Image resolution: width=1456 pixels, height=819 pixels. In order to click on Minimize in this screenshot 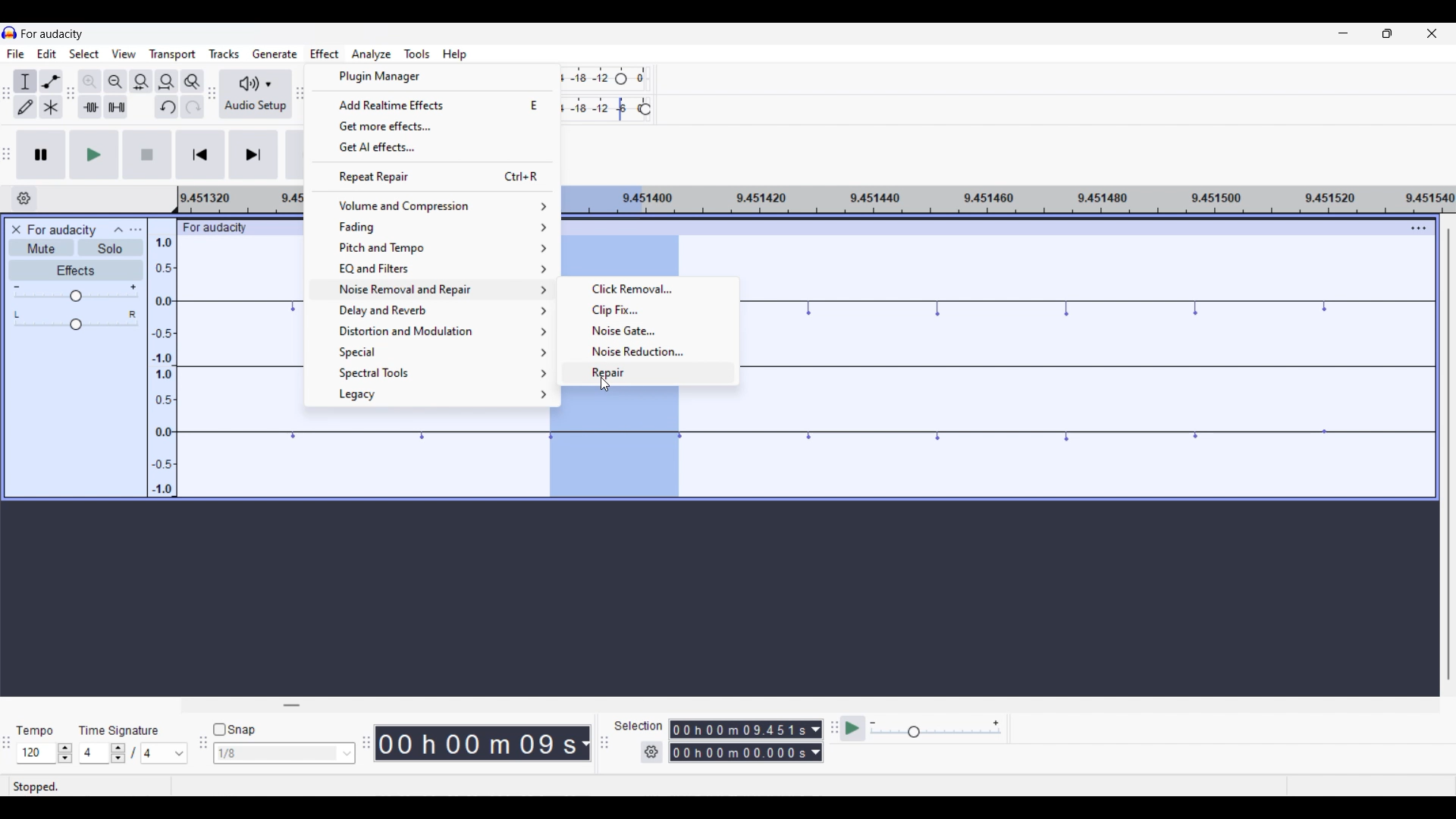, I will do `click(1343, 33)`.